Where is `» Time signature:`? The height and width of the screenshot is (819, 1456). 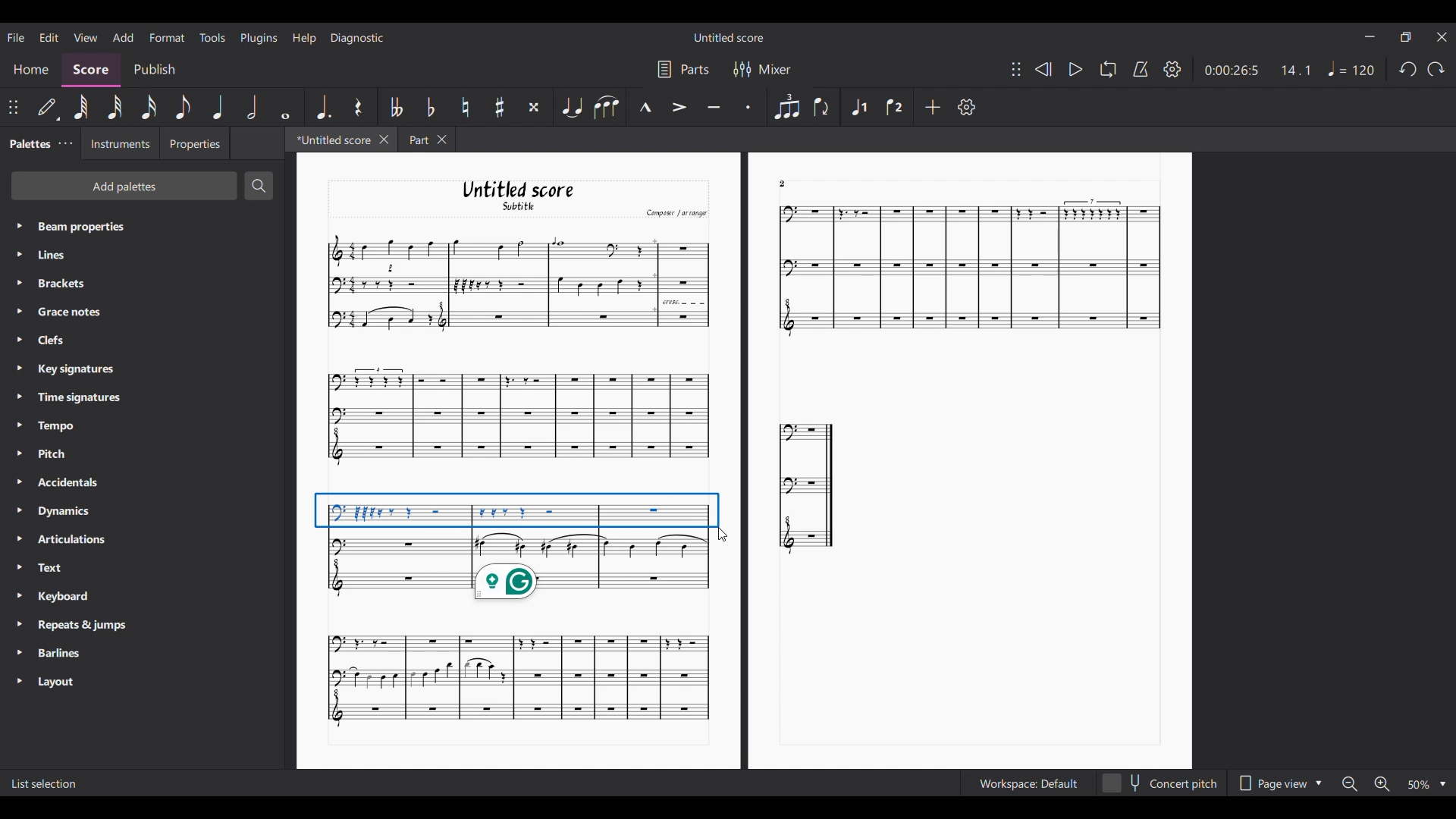
» Time signature: is located at coordinates (68, 397).